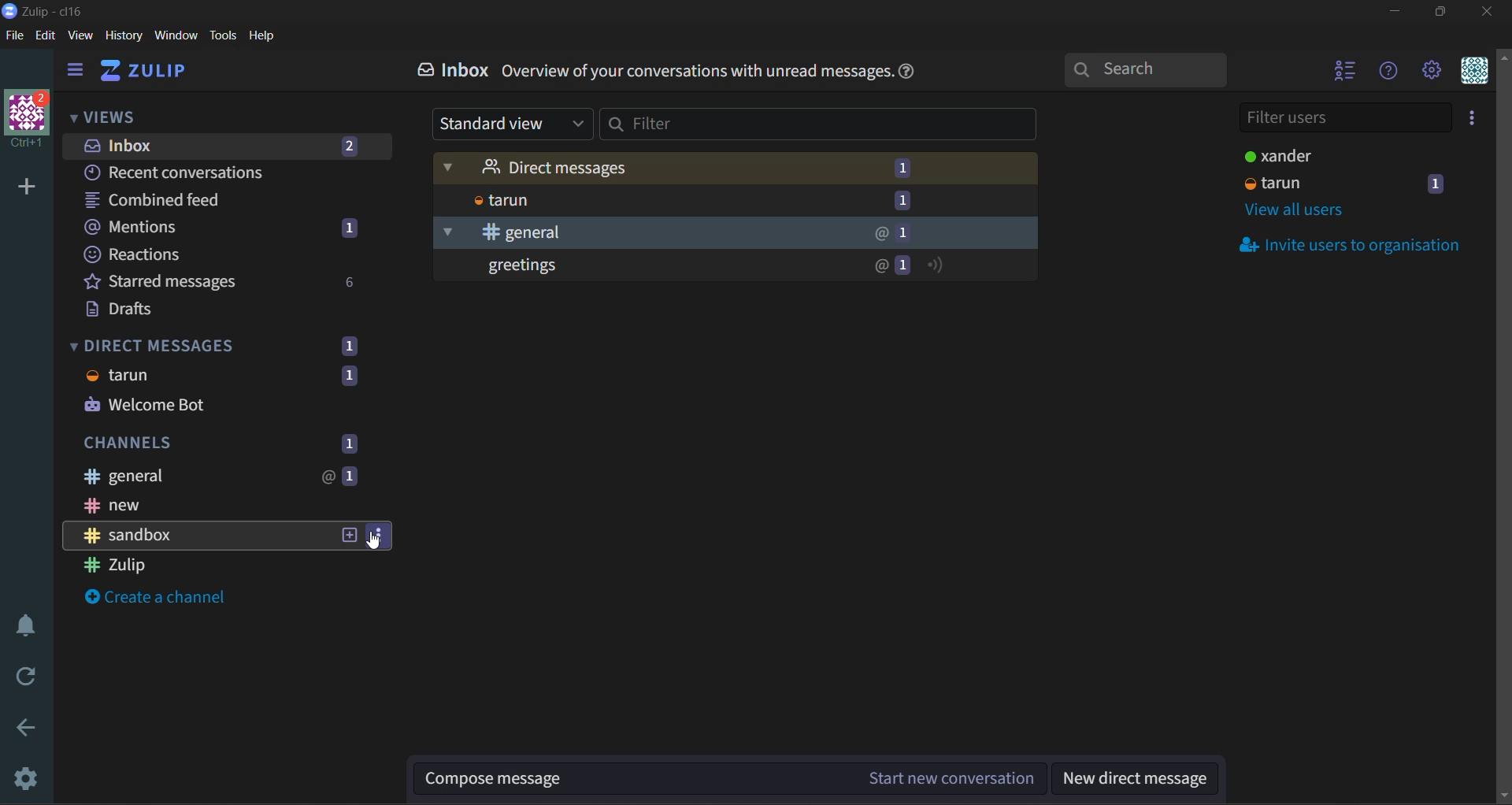  What do you see at coordinates (515, 124) in the screenshot?
I see `standard view` at bounding box center [515, 124].